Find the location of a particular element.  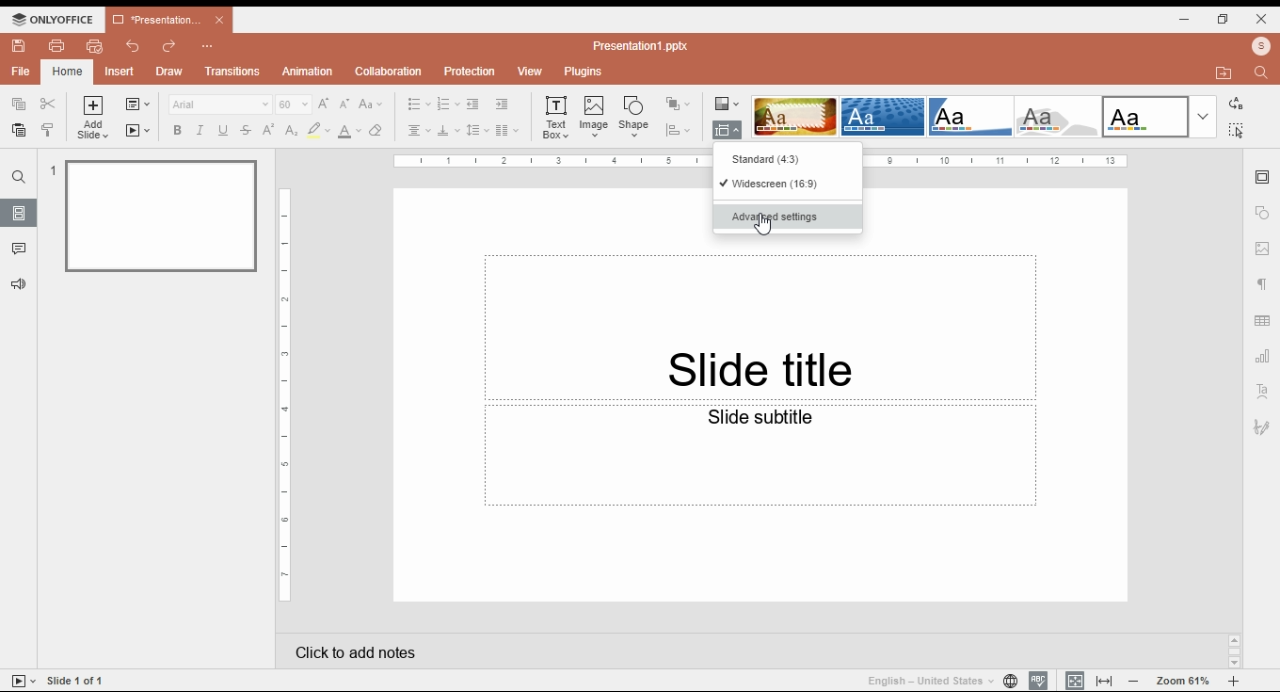

undo is located at coordinates (134, 46).